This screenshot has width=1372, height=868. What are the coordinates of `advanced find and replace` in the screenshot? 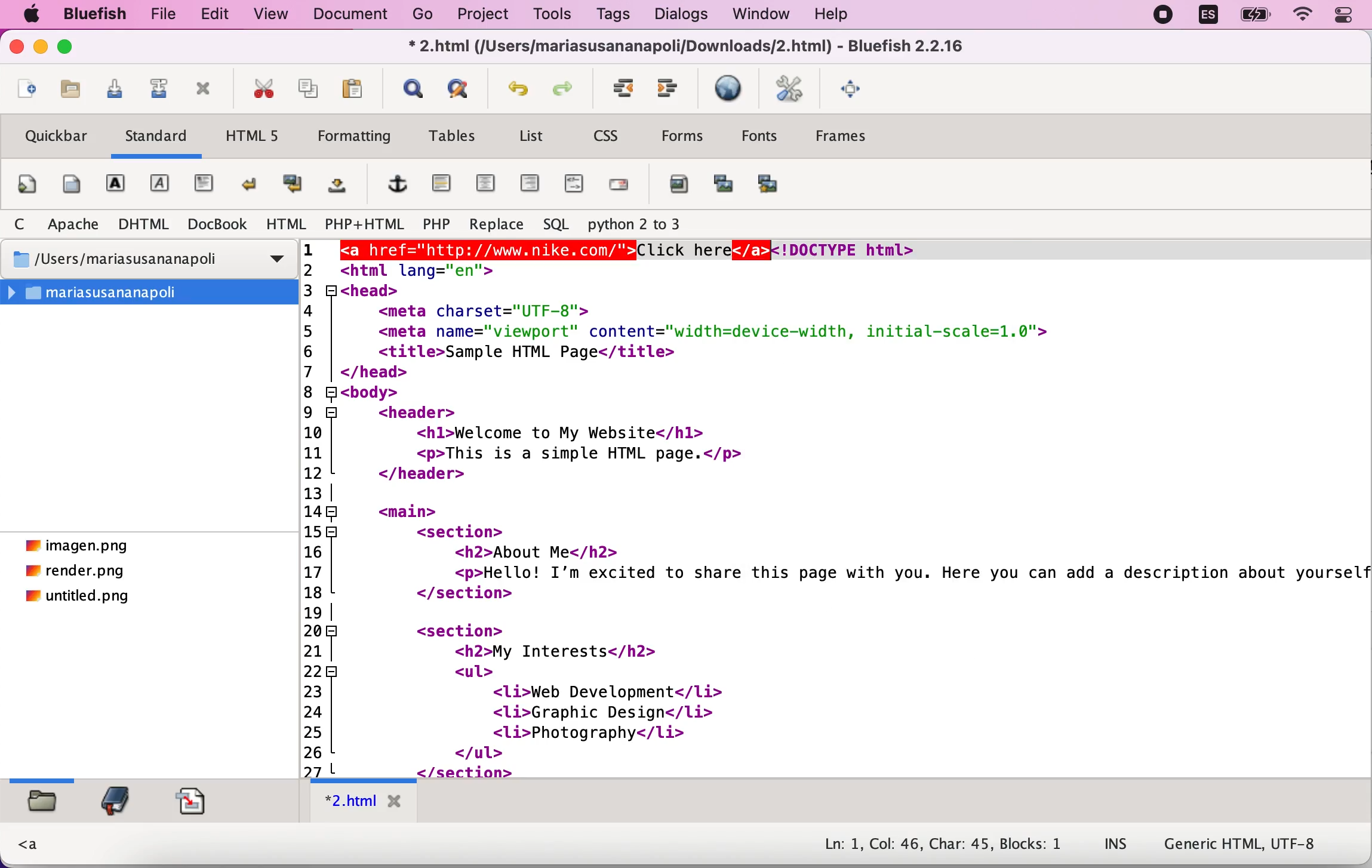 It's located at (463, 90).